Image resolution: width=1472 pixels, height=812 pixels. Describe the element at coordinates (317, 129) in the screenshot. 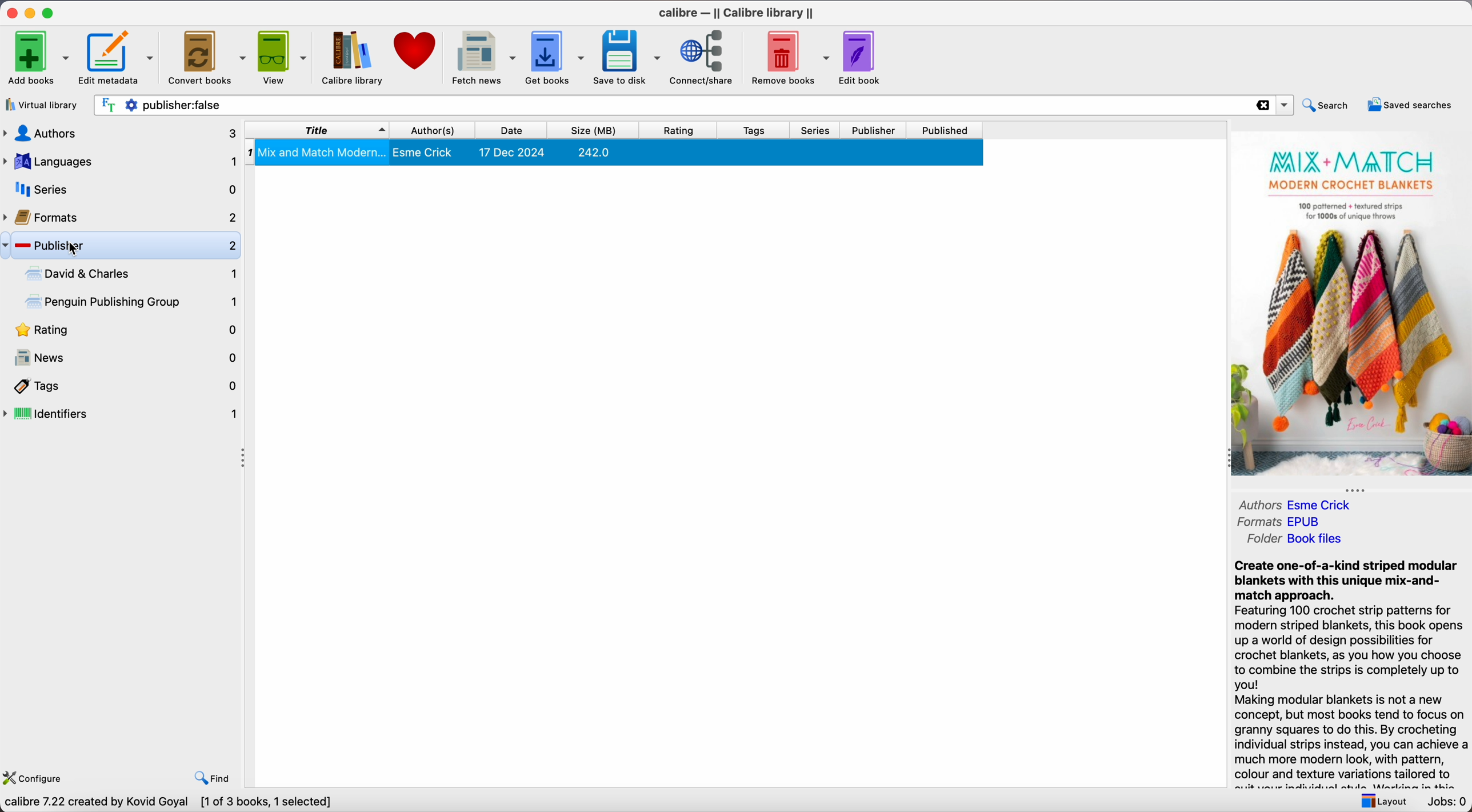

I see `title` at that location.